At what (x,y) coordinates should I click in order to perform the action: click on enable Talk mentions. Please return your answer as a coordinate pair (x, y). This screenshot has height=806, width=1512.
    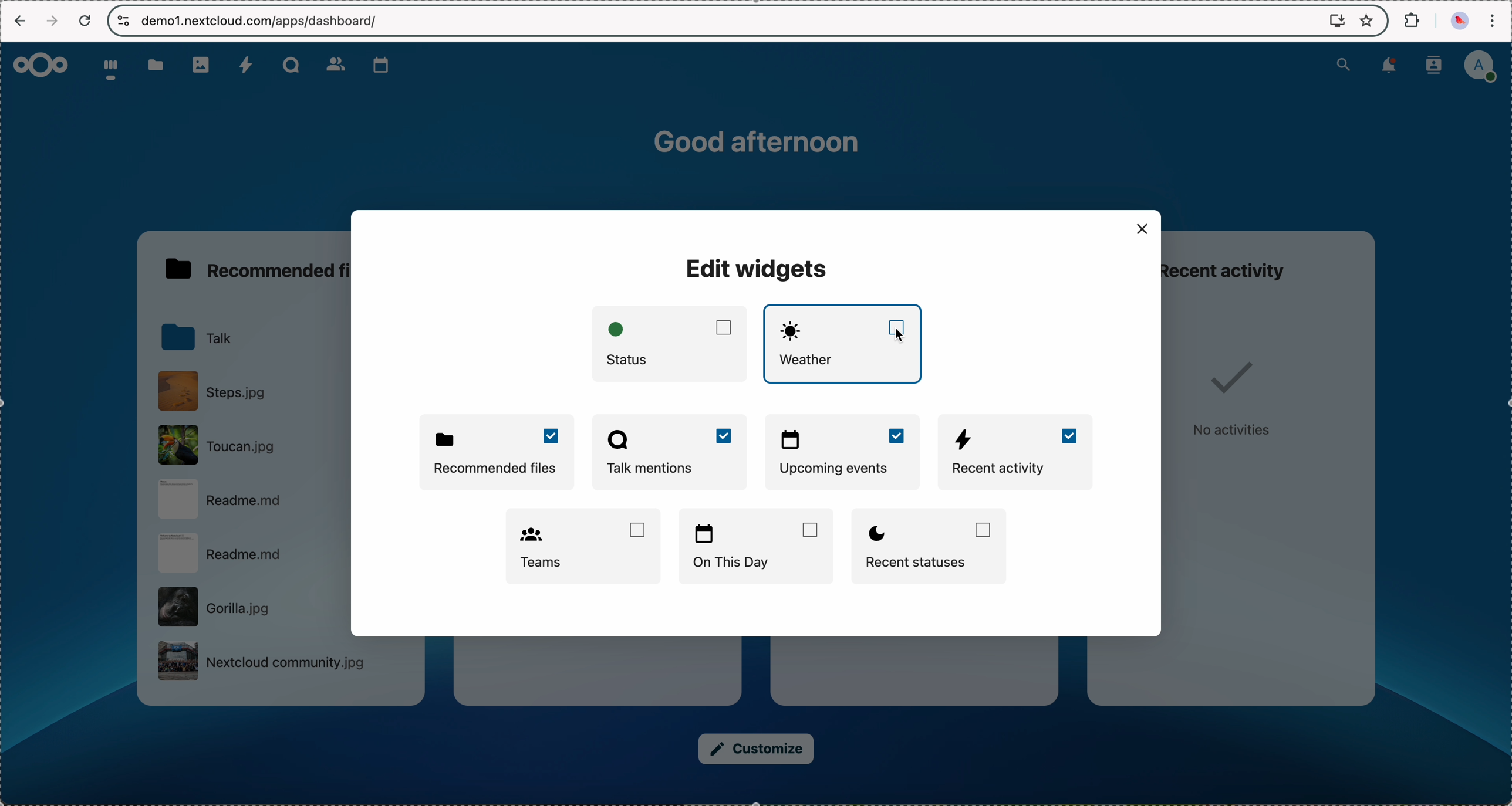
    Looking at the image, I should click on (670, 453).